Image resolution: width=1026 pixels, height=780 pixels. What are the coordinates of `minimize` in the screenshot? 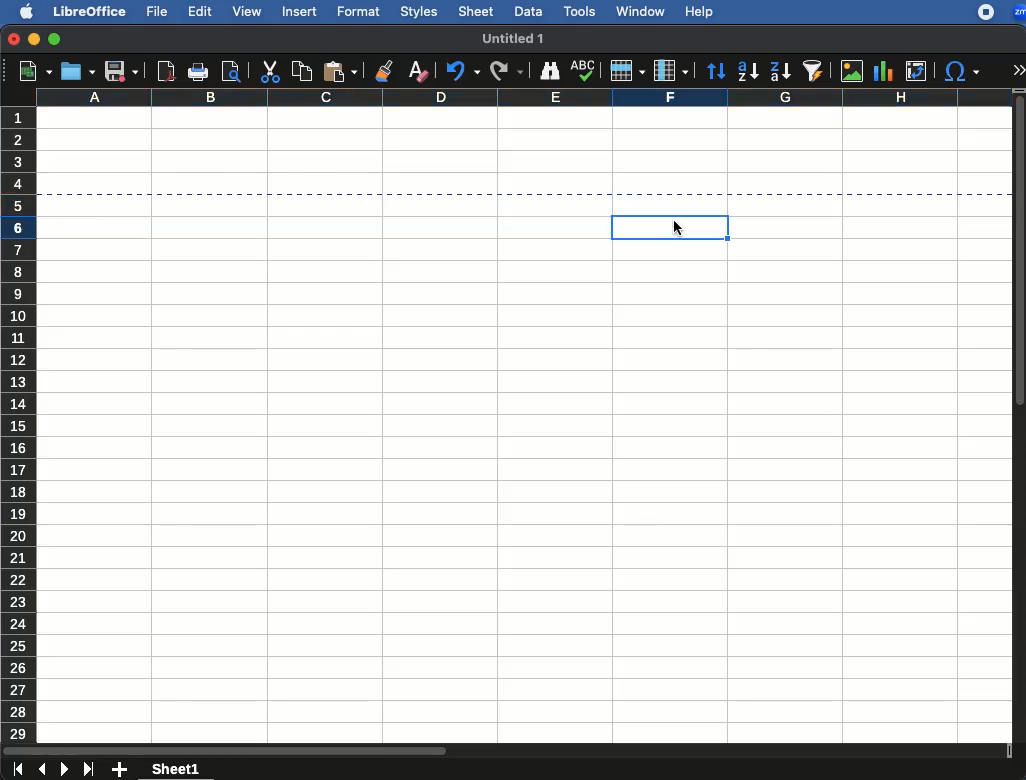 It's located at (33, 39).